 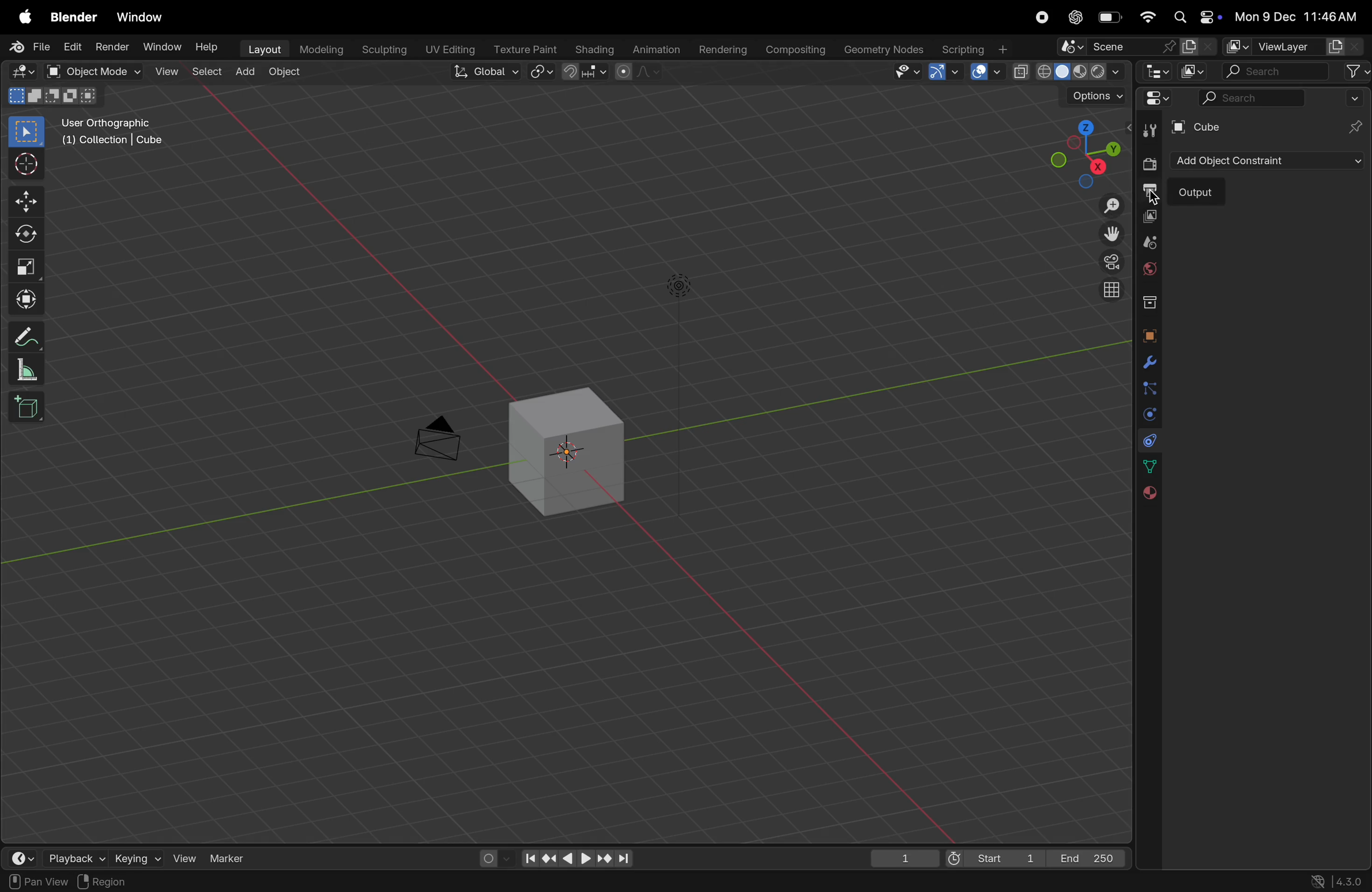 I want to click on Uv editing, so click(x=450, y=48).